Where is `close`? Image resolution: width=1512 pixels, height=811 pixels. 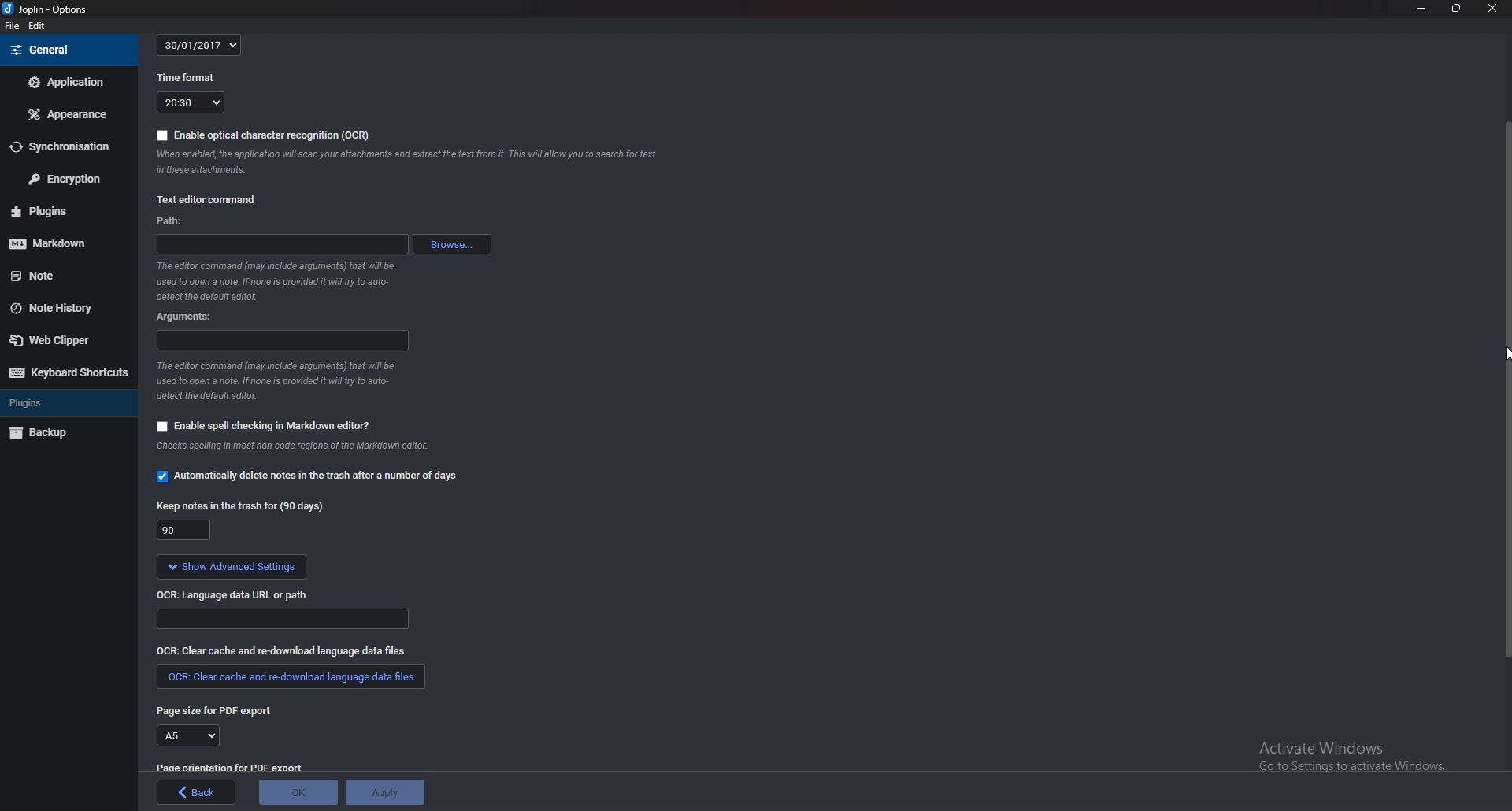 close is located at coordinates (1492, 9).